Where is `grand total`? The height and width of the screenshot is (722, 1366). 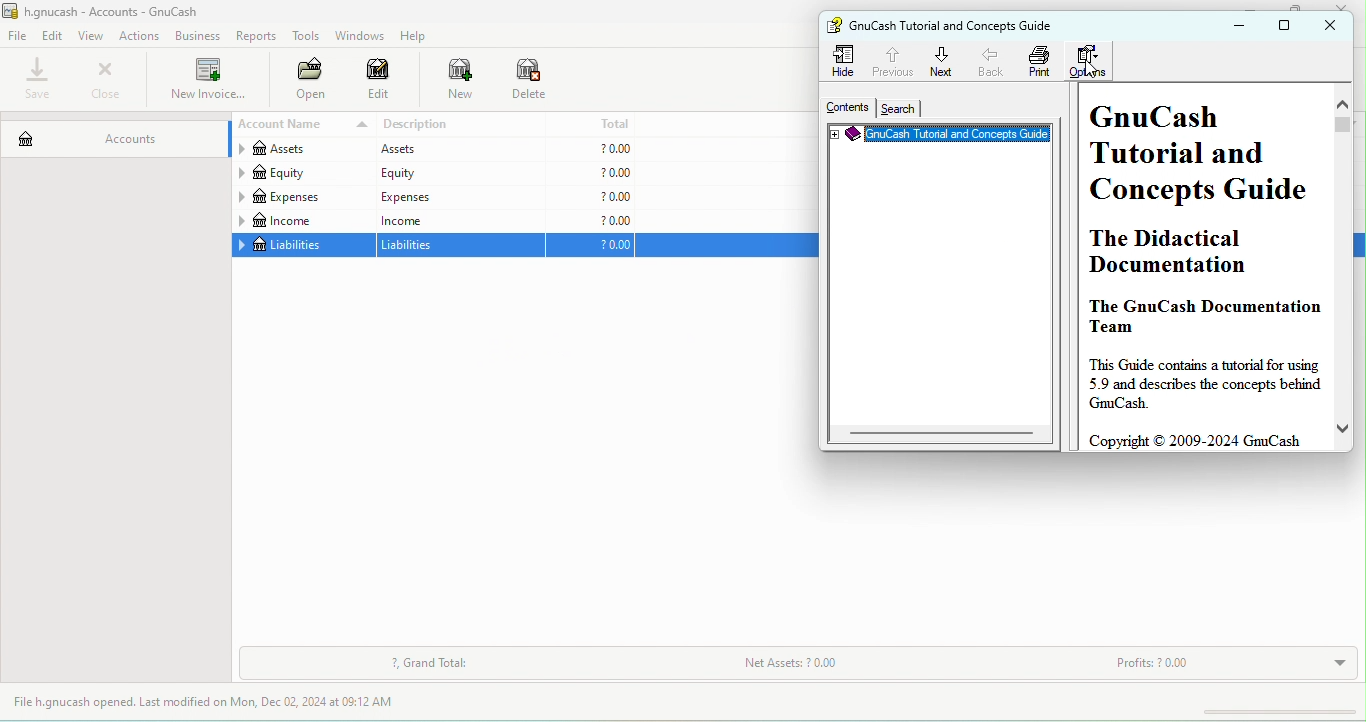 grand total is located at coordinates (430, 664).